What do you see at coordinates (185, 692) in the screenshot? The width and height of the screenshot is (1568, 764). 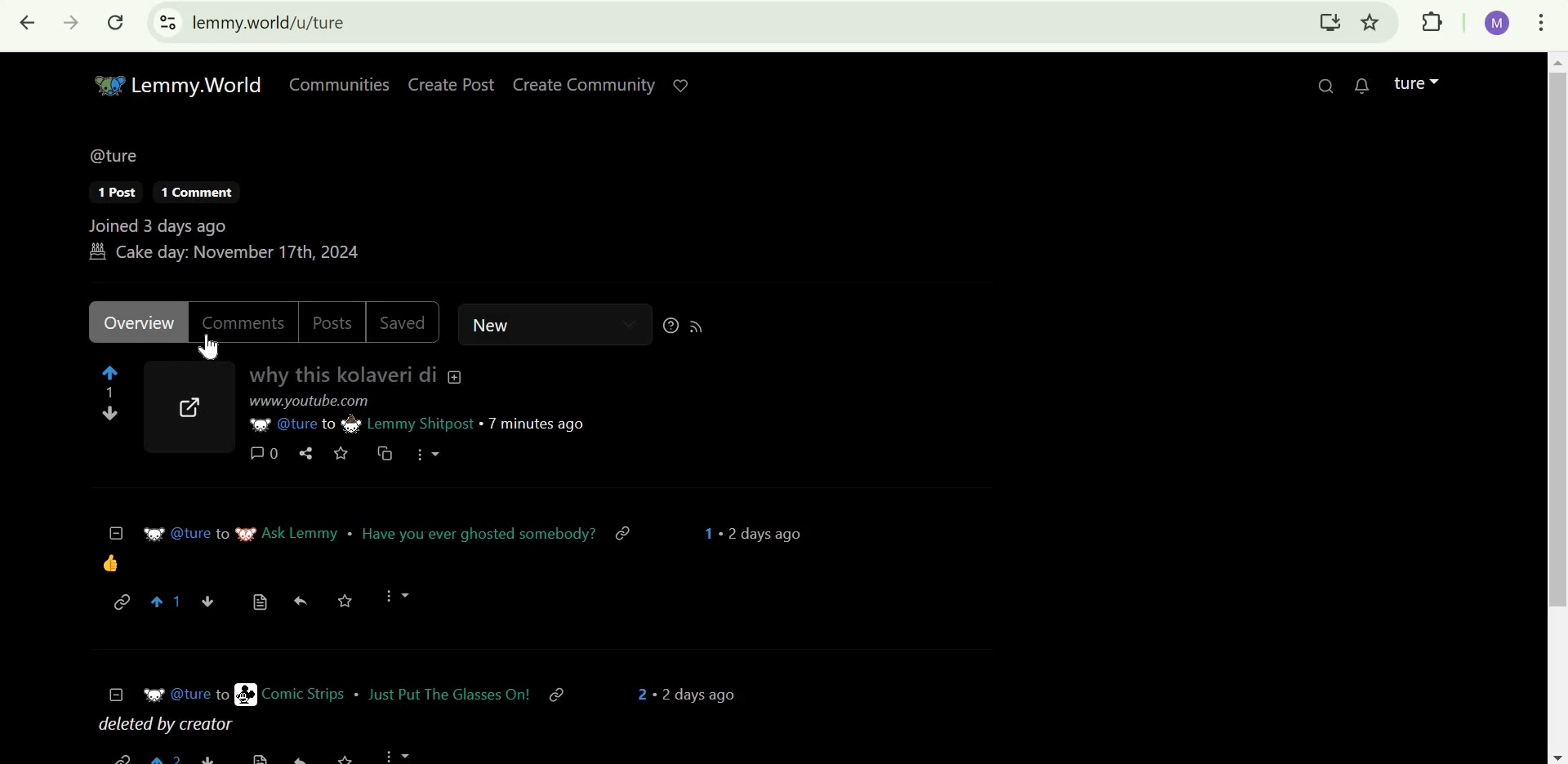 I see `user id` at bounding box center [185, 692].